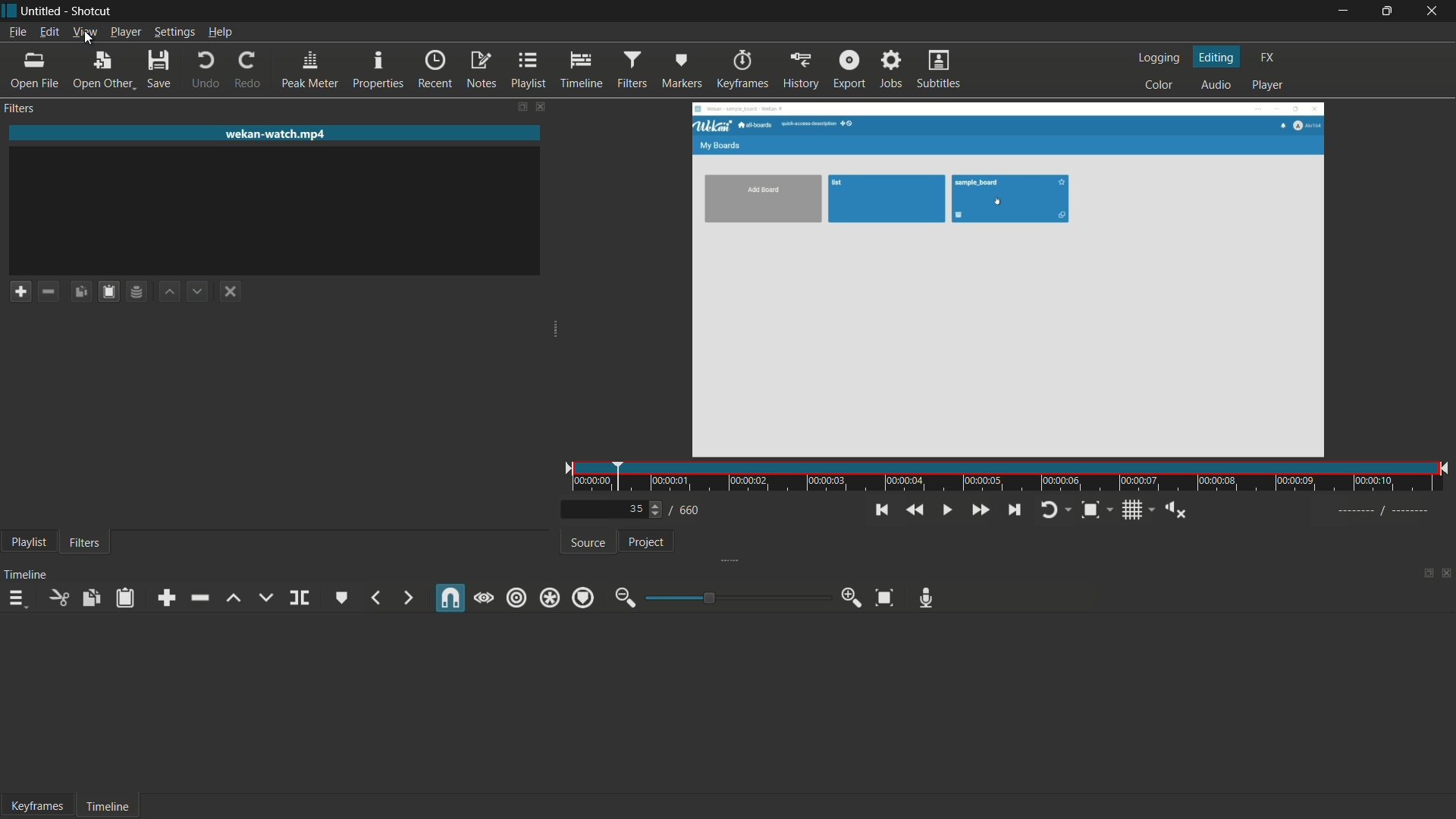  What do you see at coordinates (1382, 511) in the screenshot?
I see `----- / ---` at bounding box center [1382, 511].